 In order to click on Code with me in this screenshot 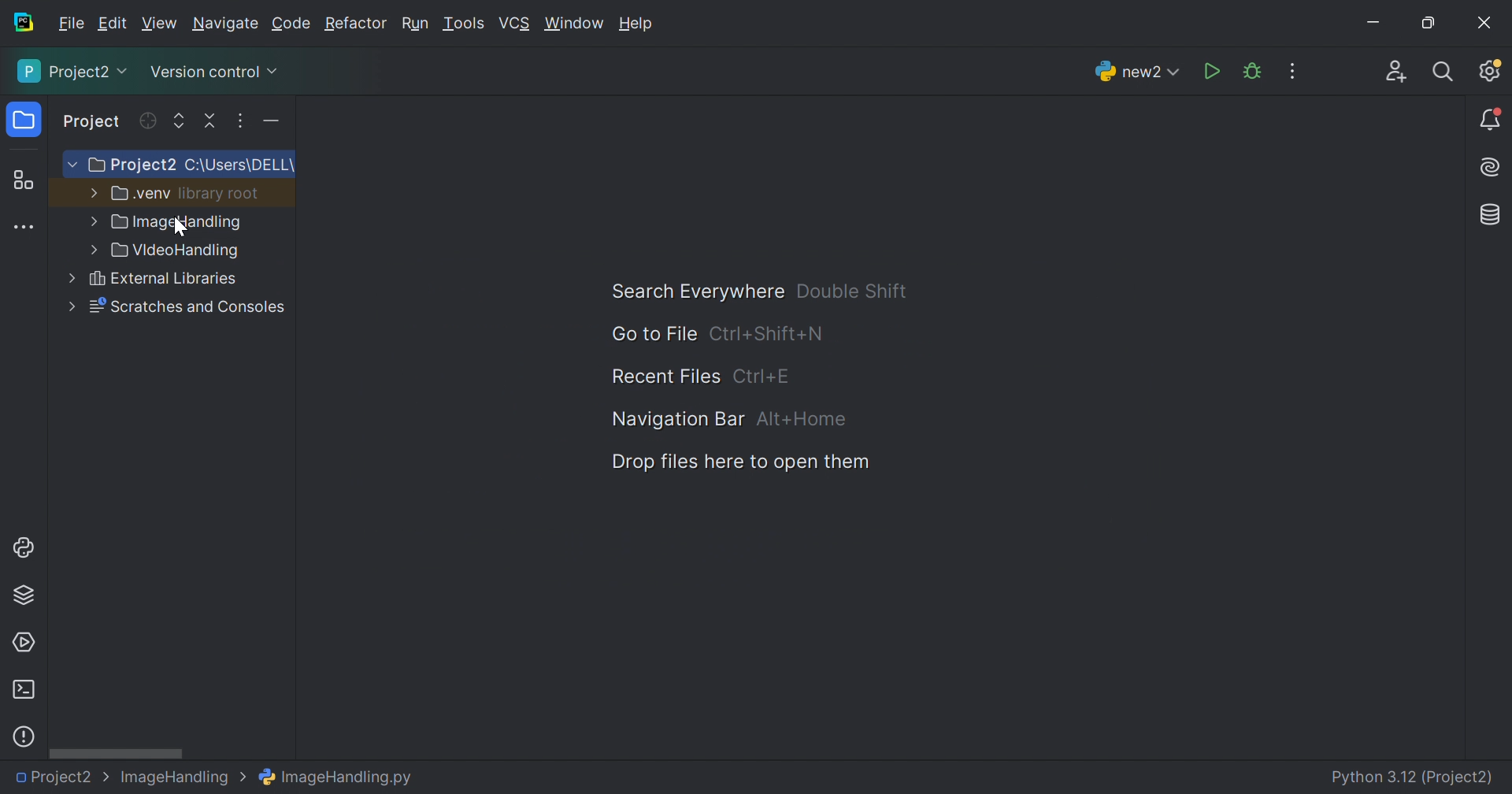, I will do `click(1396, 74)`.